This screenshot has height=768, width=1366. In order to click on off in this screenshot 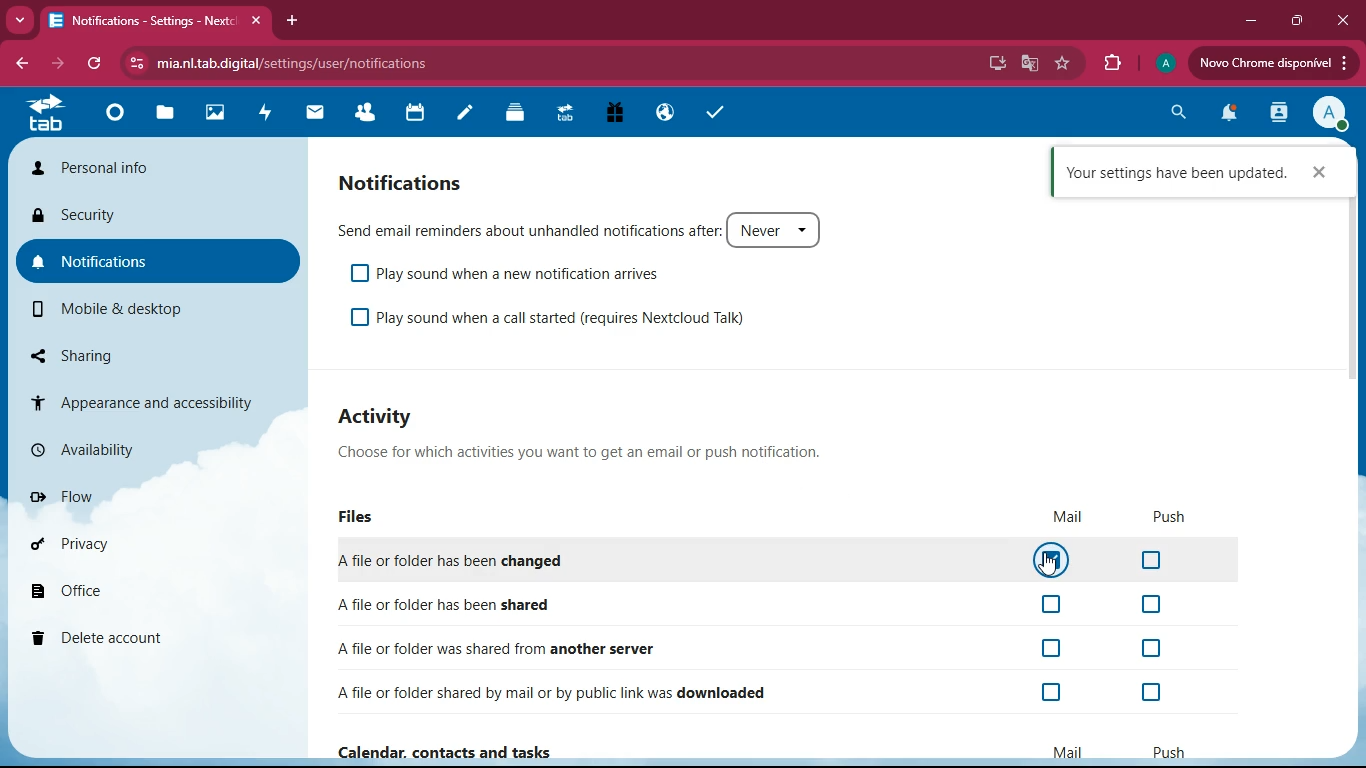, I will do `click(358, 272)`.